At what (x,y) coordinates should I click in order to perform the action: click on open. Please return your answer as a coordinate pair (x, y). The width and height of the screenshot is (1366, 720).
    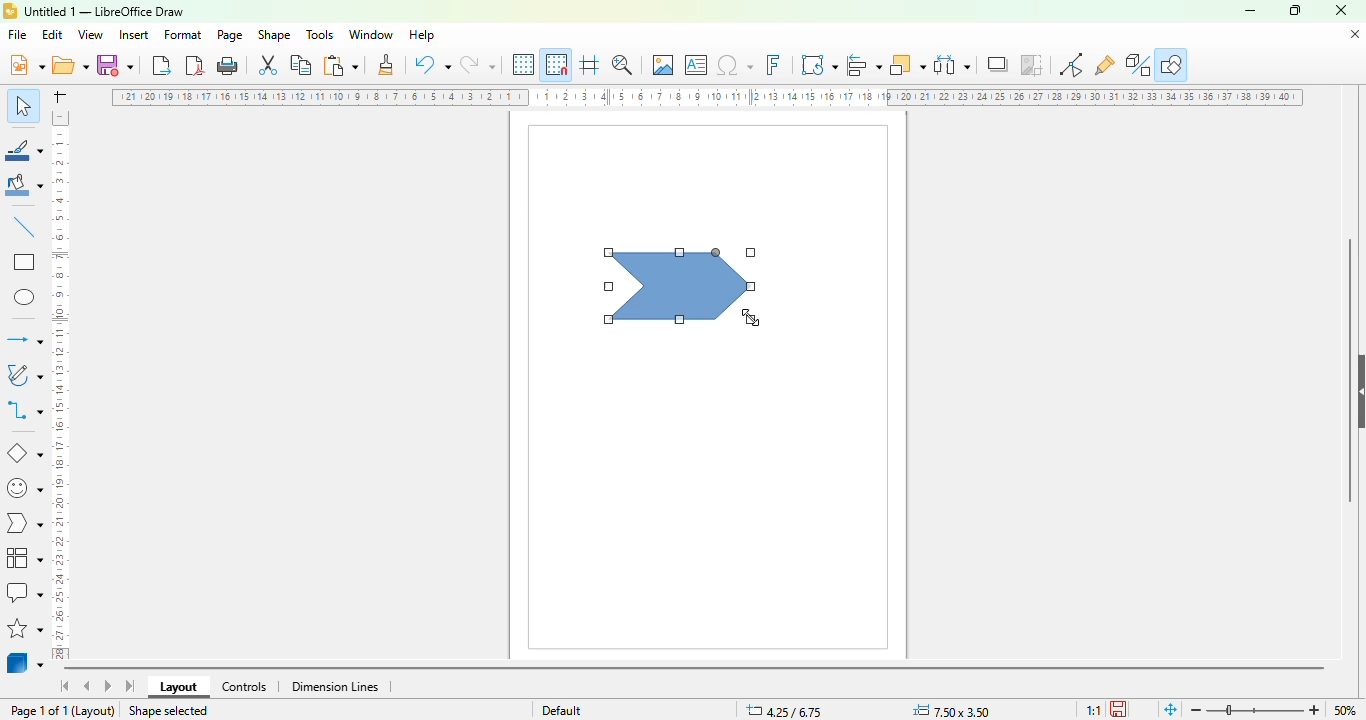
    Looking at the image, I should click on (70, 64).